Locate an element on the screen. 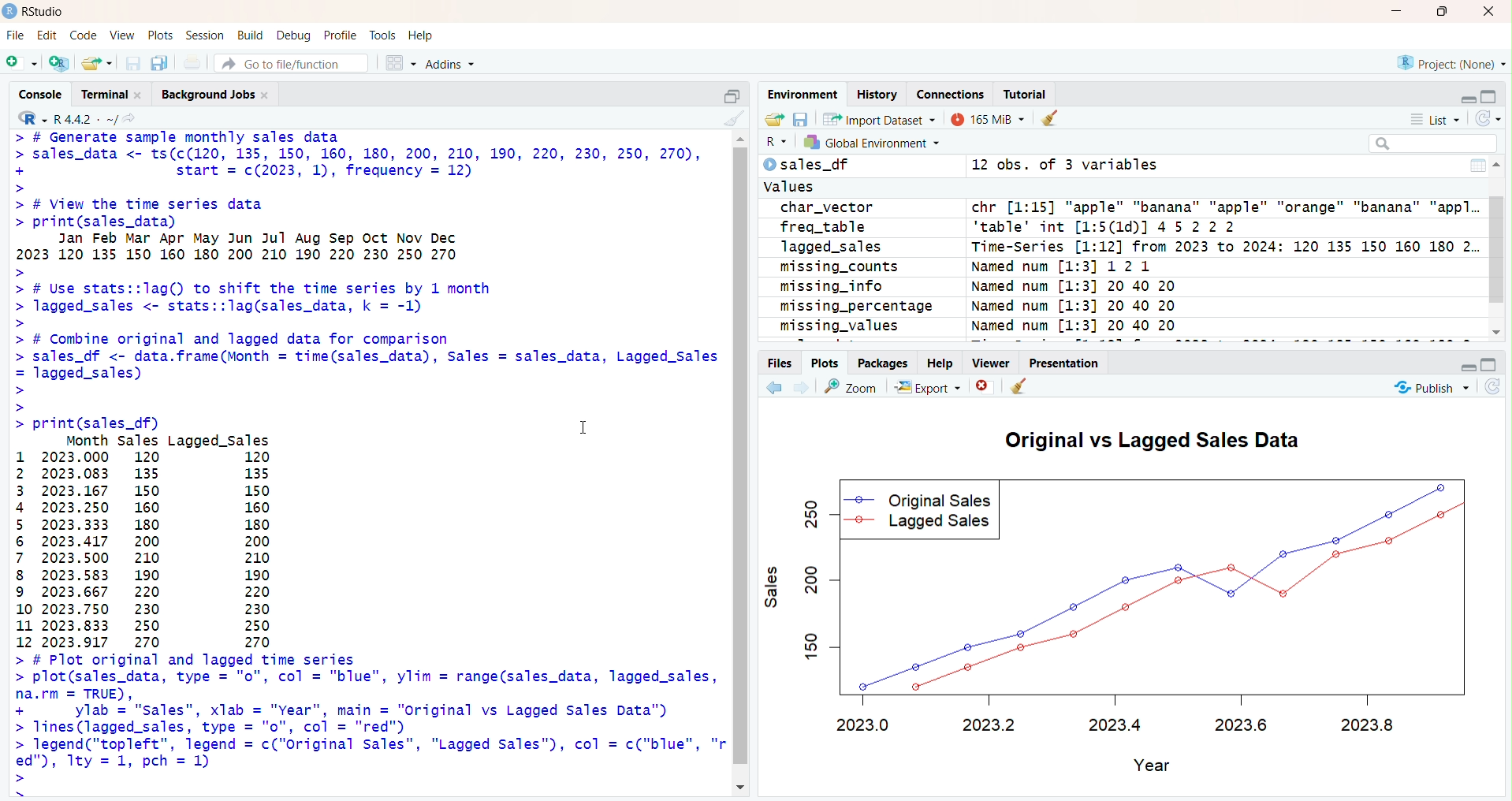 The height and width of the screenshot is (801, 1512). expand is located at coordinates (1468, 367).